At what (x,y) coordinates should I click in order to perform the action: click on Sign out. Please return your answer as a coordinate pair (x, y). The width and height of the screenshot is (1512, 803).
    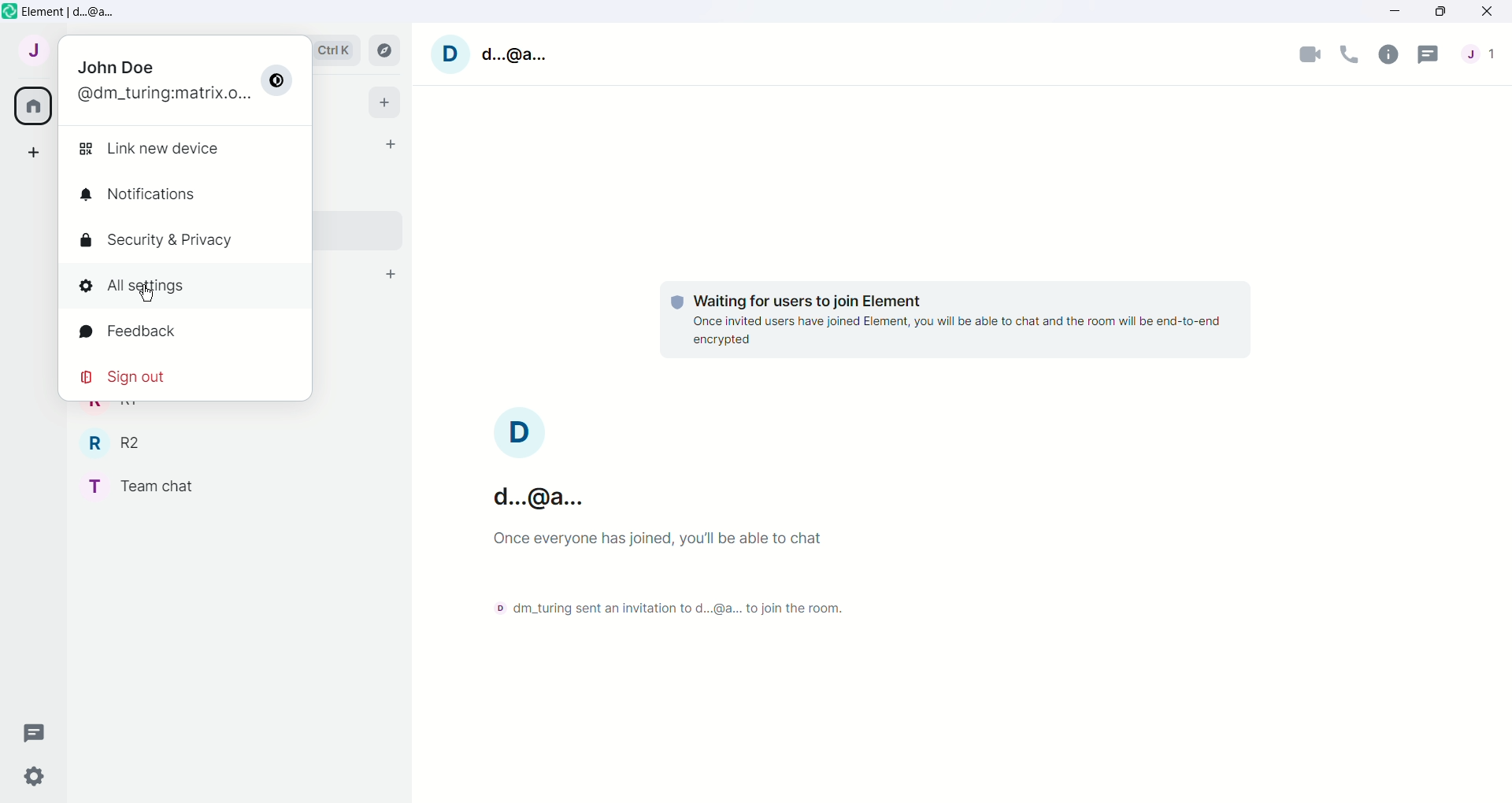
    Looking at the image, I should click on (186, 377).